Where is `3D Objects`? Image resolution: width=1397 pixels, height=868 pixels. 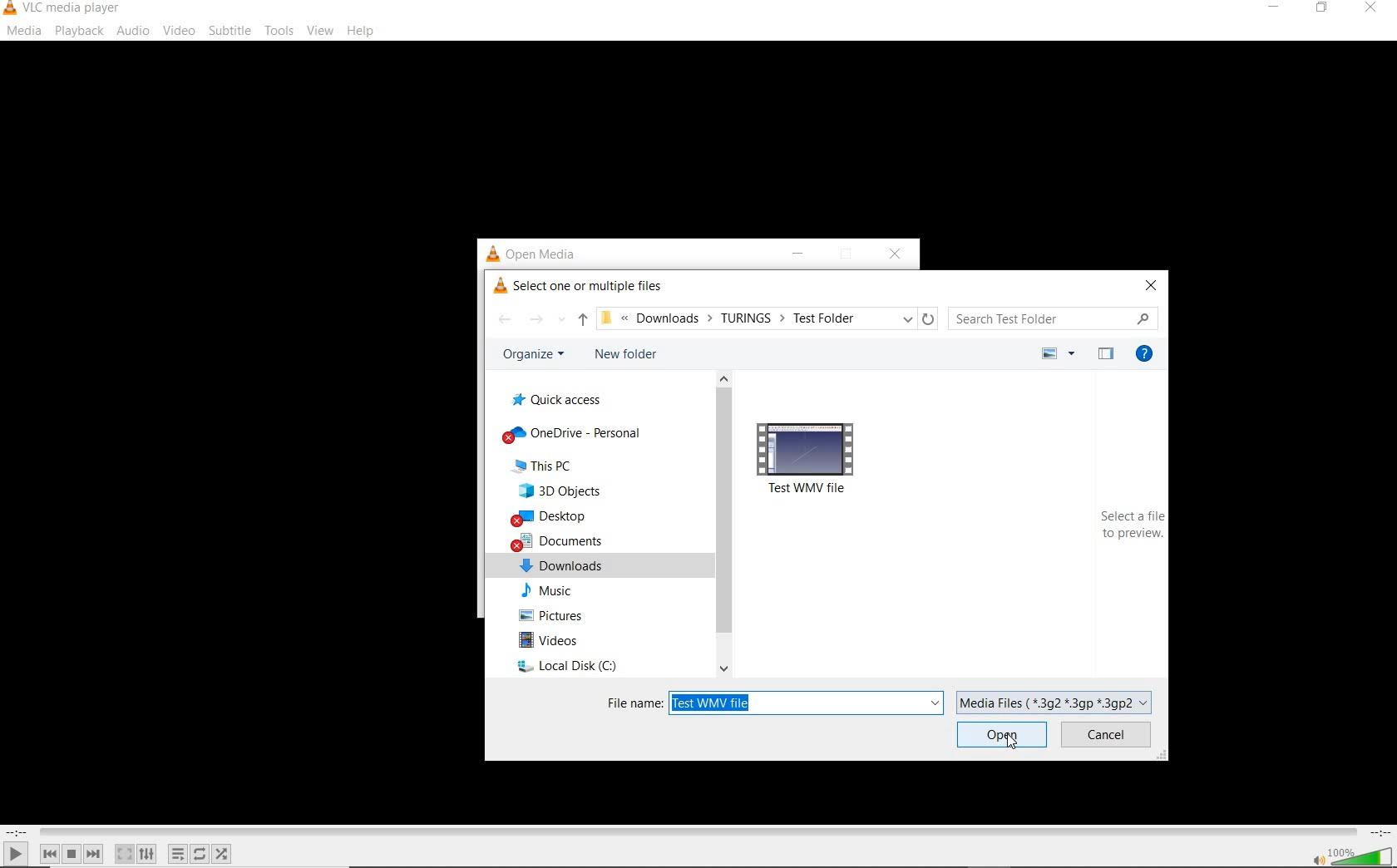
3D Objects is located at coordinates (560, 491).